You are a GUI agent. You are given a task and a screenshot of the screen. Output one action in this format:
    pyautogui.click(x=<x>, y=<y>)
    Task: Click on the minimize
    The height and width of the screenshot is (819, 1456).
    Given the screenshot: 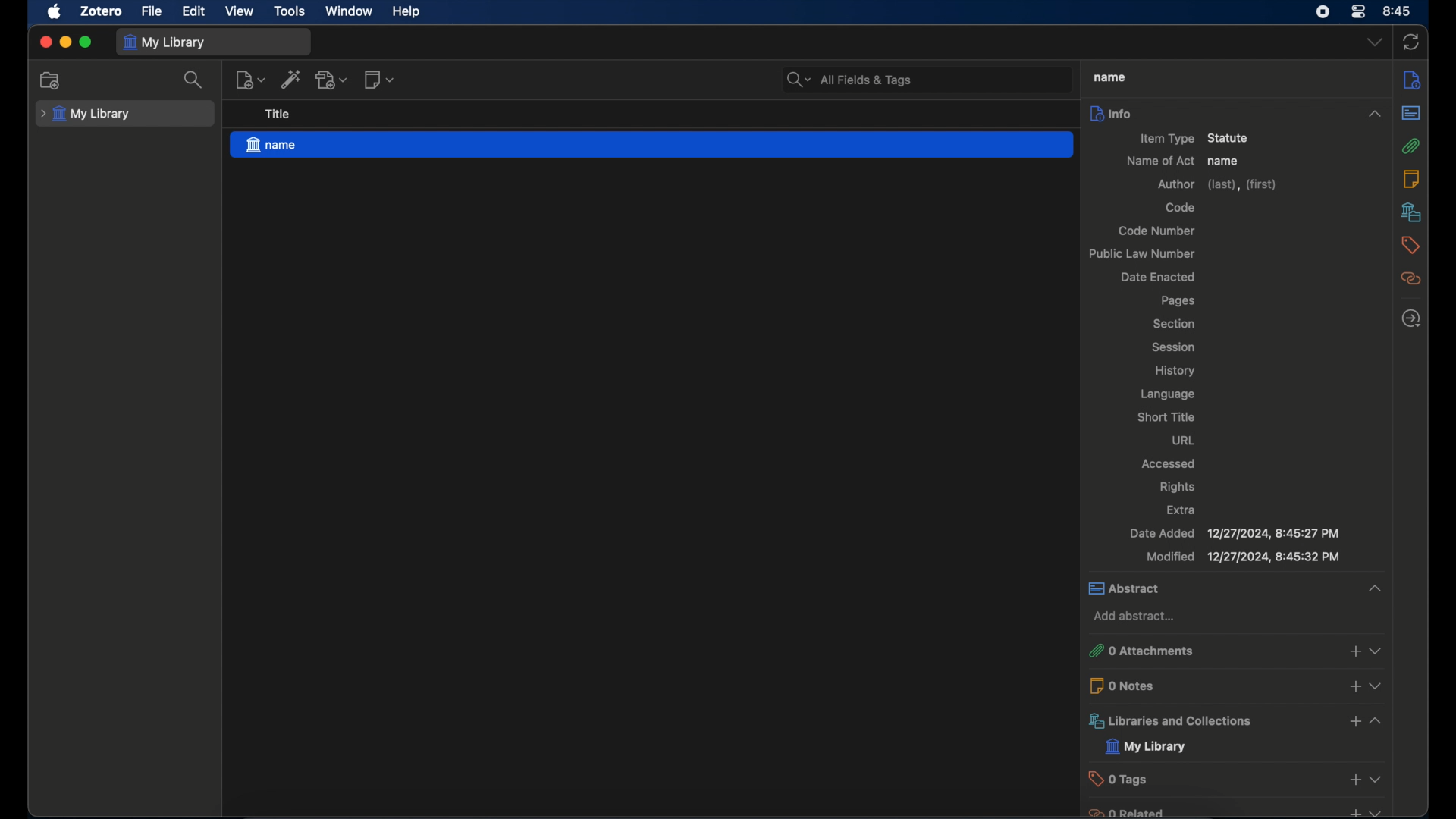 What is the action you would take?
    pyautogui.click(x=65, y=42)
    